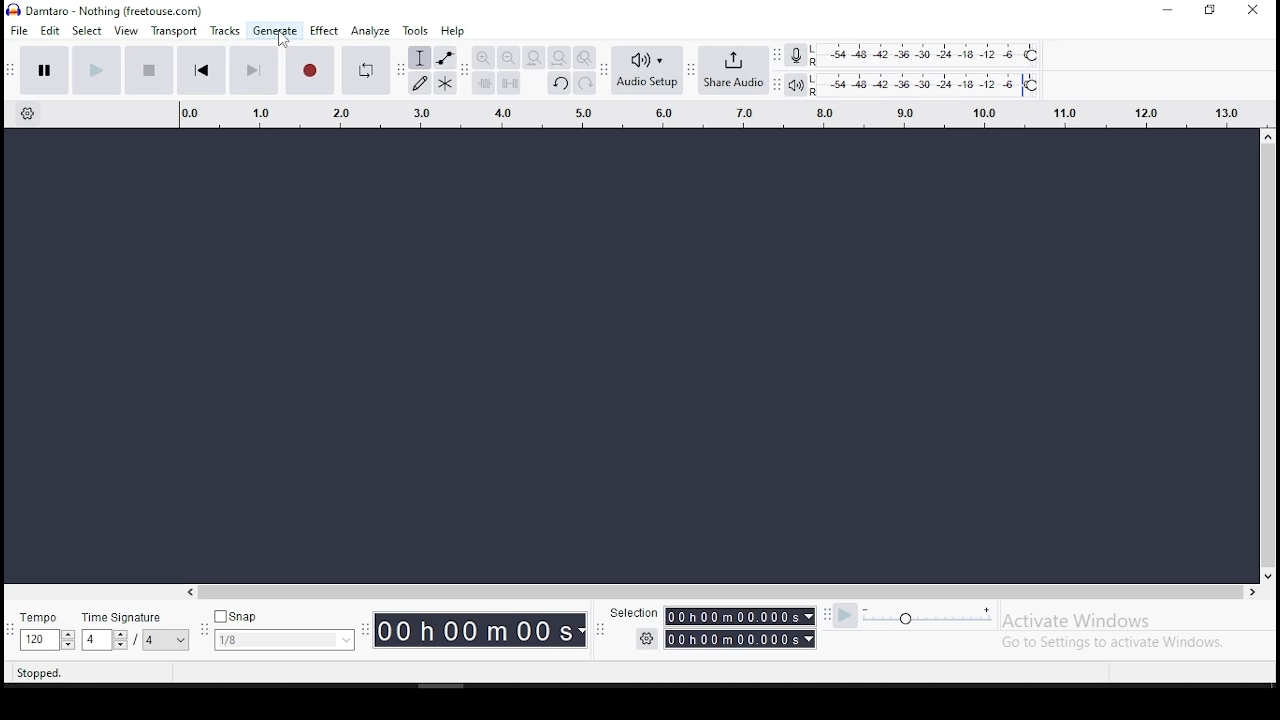 The width and height of the screenshot is (1280, 720). Describe the element at coordinates (797, 85) in the screenshot. I see `playback meter` at that location.